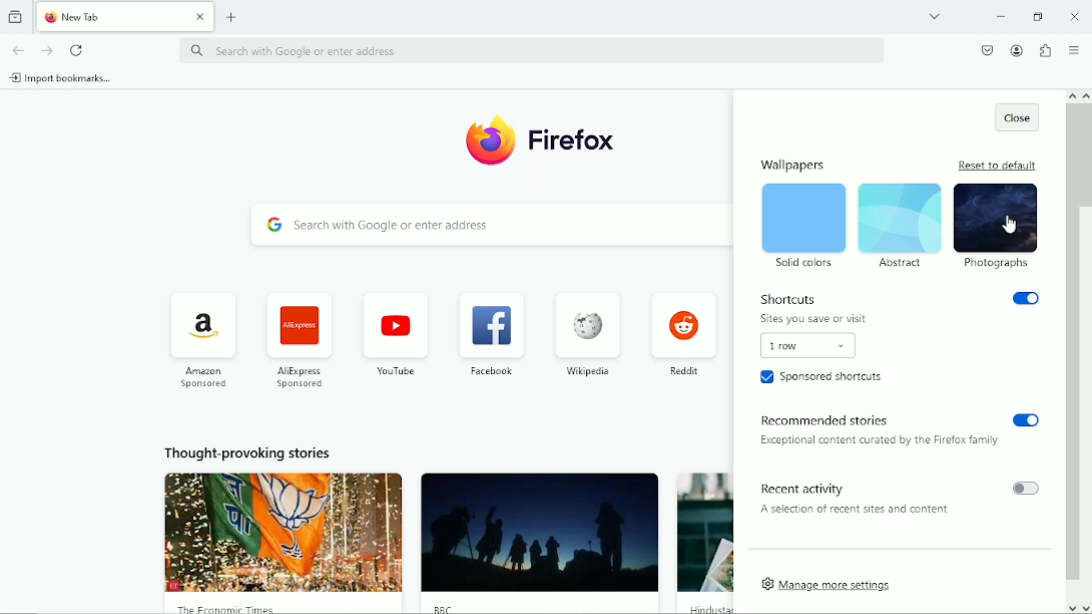 The image size is (1092, 614). What do you see at coordinates (1002, 15) in the screenshot?
I see `Minimize` at bounding box center [1002, 15].